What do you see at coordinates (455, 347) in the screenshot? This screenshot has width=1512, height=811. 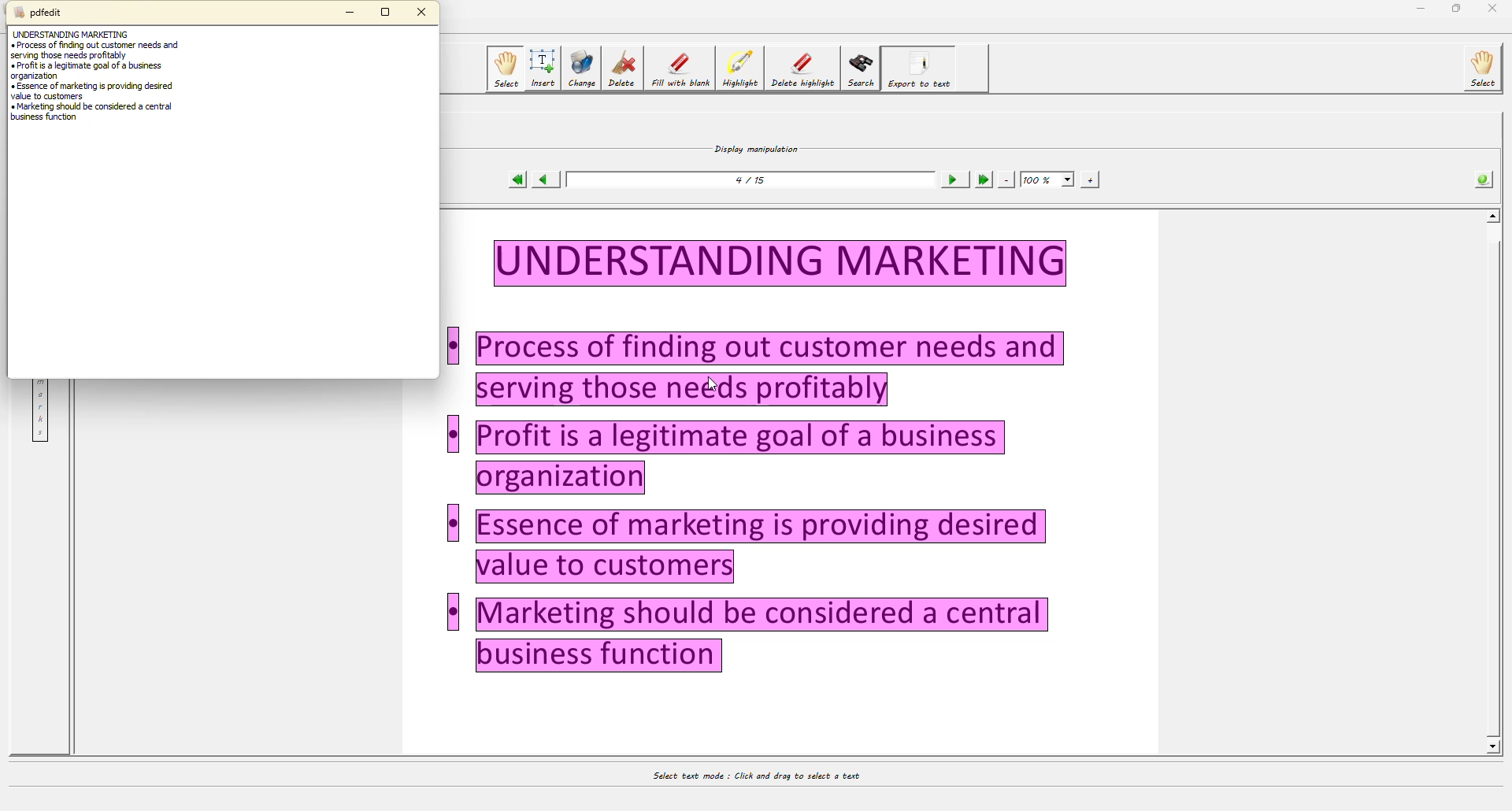 I see `` at bounding box center [455, 347].